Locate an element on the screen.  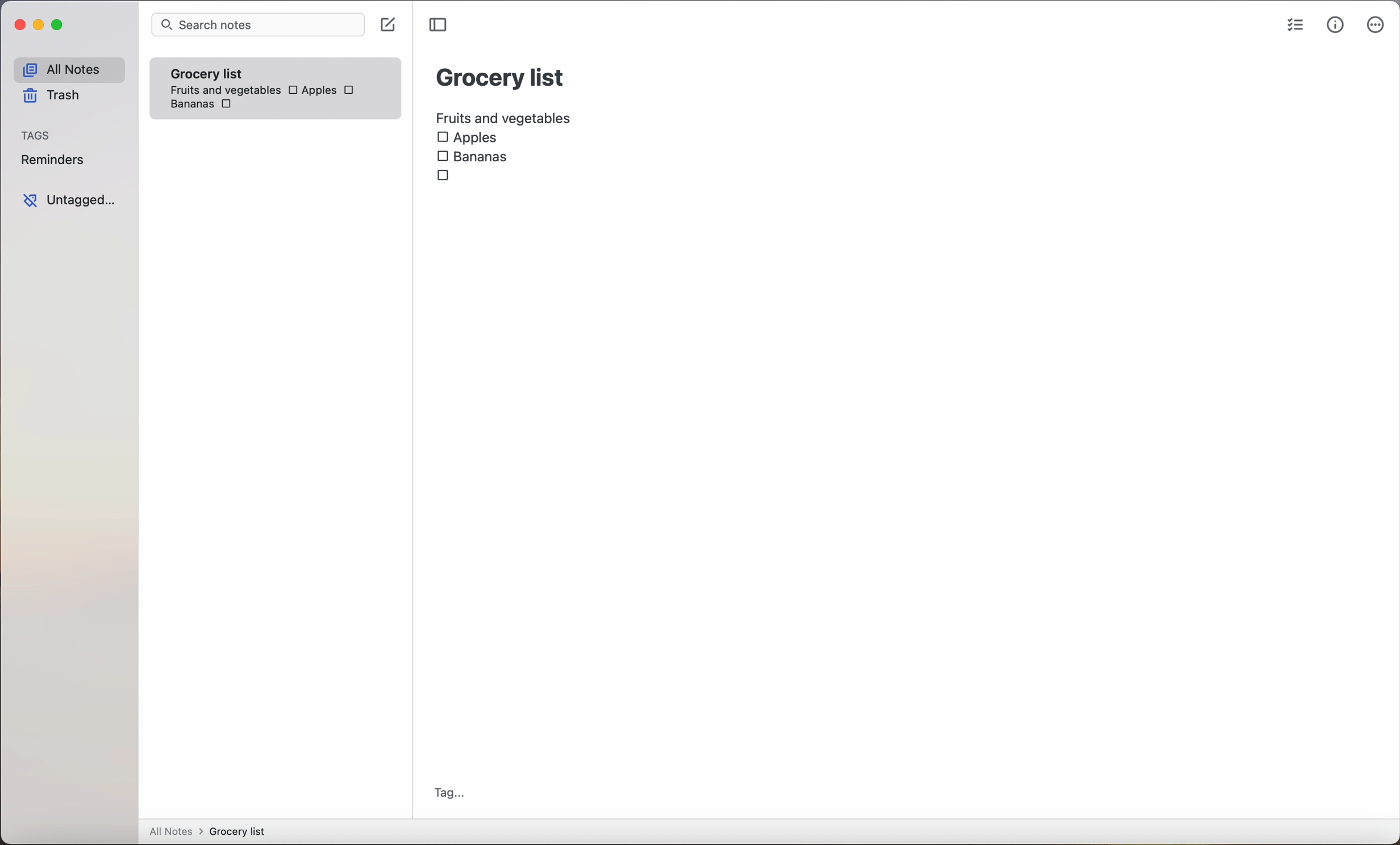
search bar is located at coordinates (257, 26).